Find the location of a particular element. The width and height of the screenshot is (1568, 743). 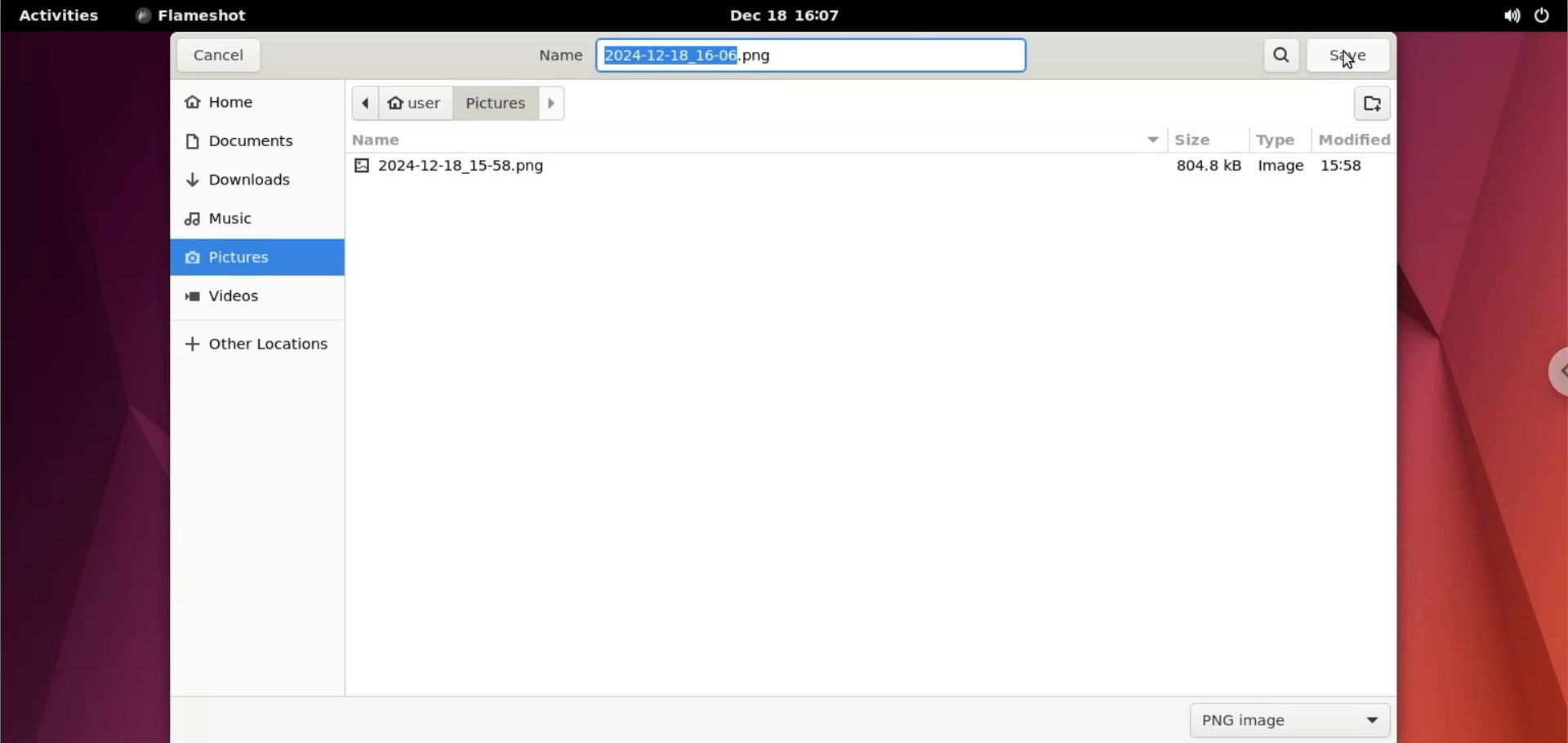

on/off is located at coordinates (1542, 15).